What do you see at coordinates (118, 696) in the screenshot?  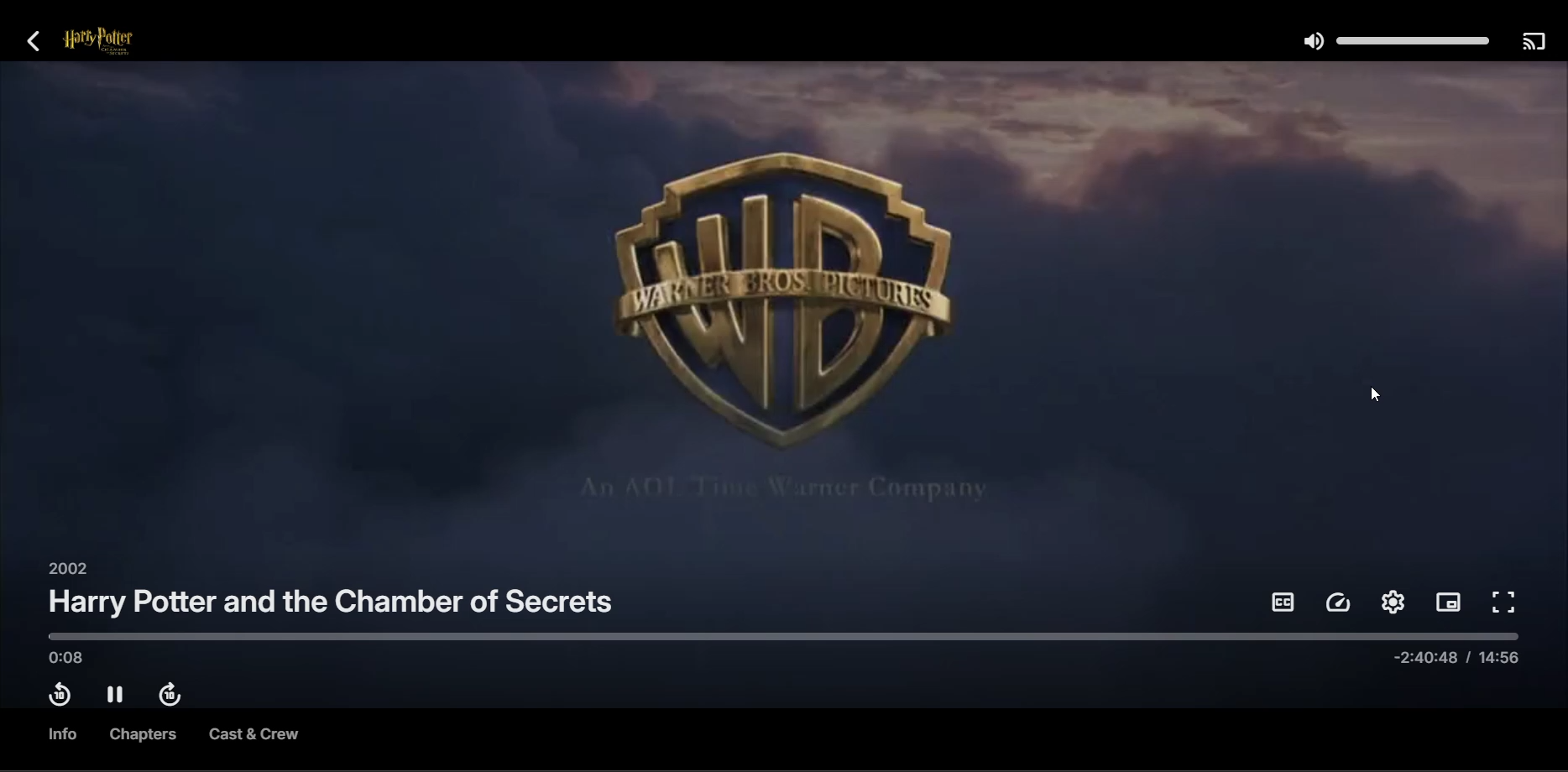 I see `Play/Pause` at bounding box center [118, 696].